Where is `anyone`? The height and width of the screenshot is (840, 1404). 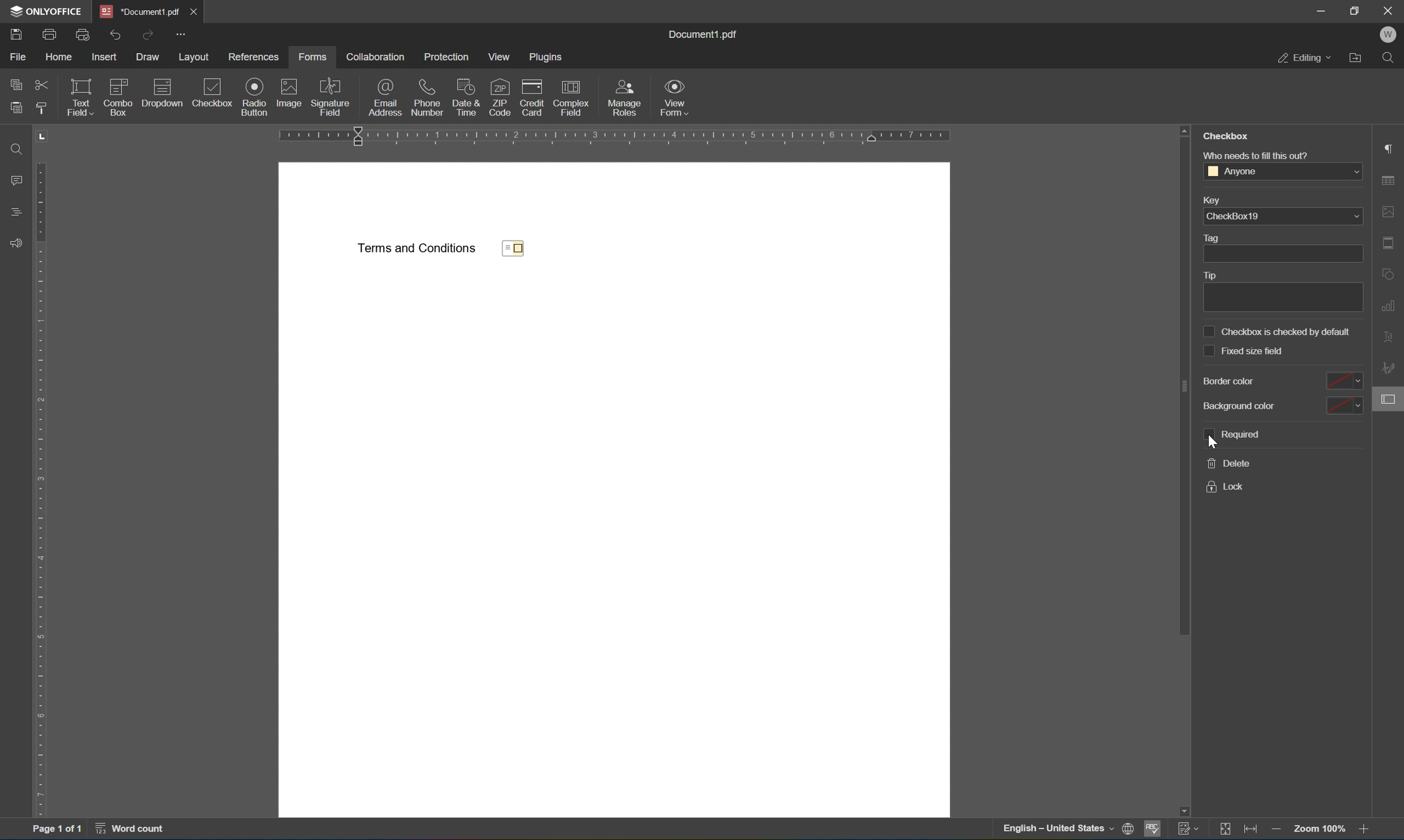 anyone is located at coordinates (1233, 172).